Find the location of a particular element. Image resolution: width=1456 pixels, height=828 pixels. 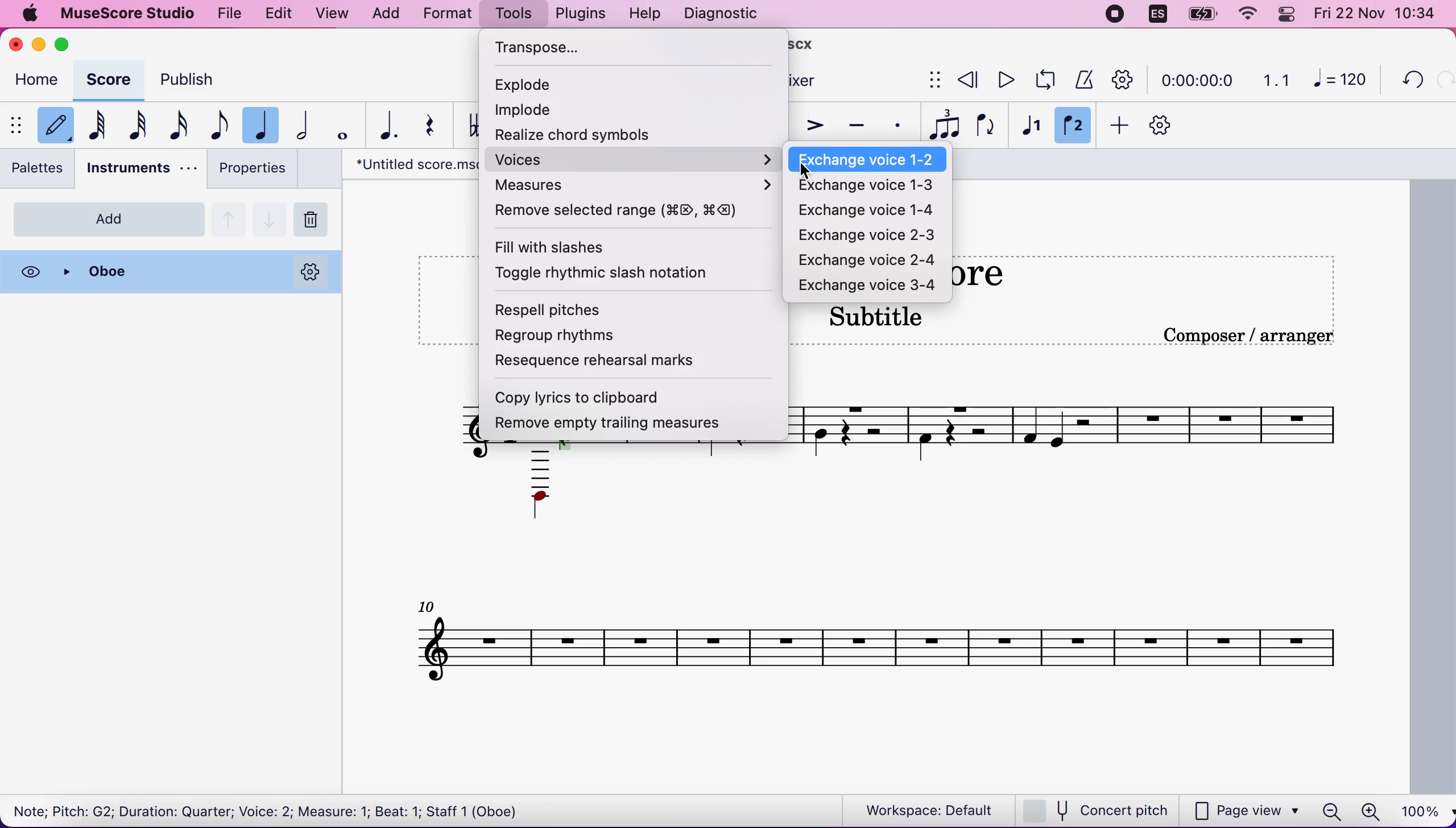

120 is located at coordinates (1341, 78).